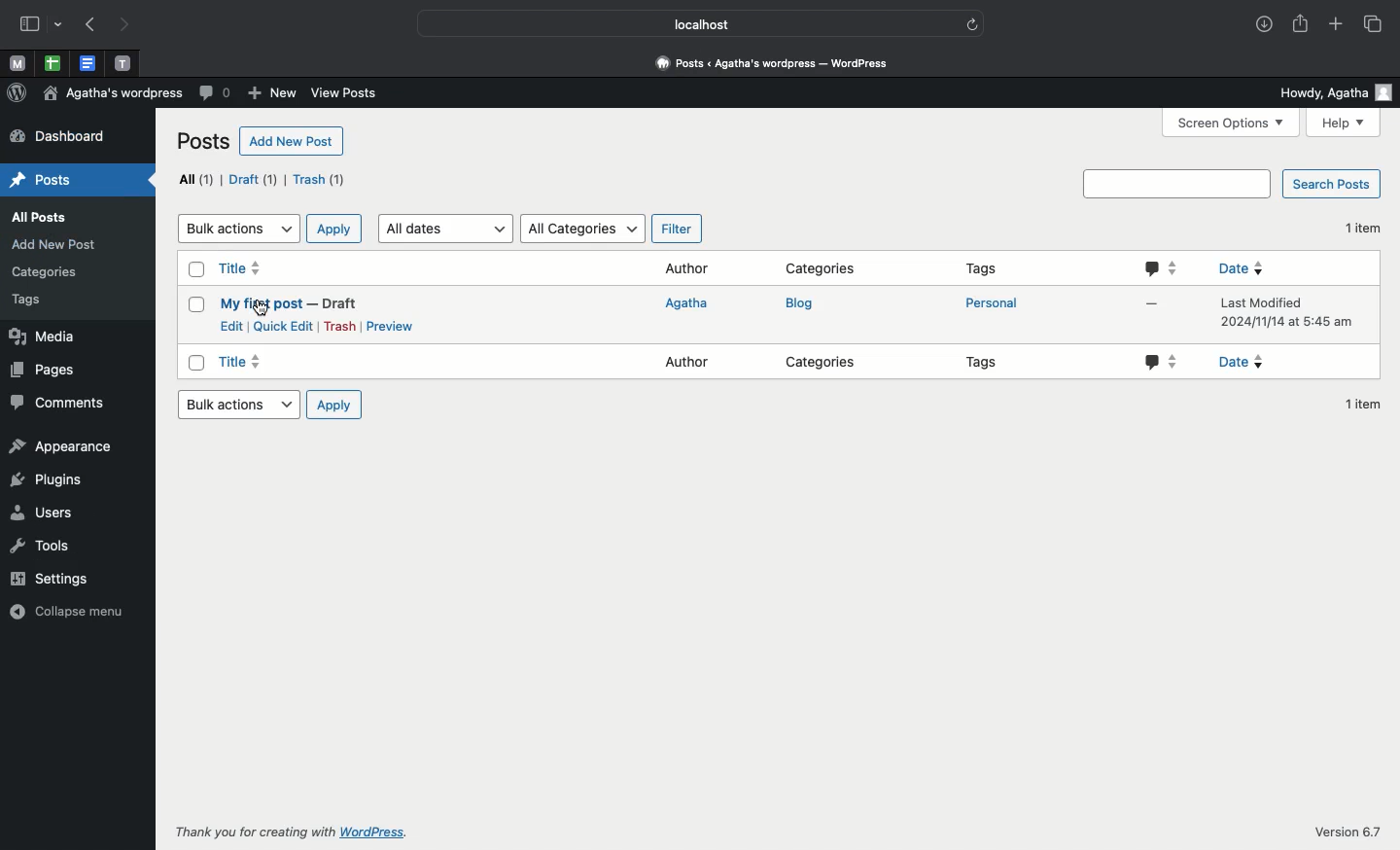 This screenshot has height=850, width=1400. I want to click on Local host, so click(686, 21).